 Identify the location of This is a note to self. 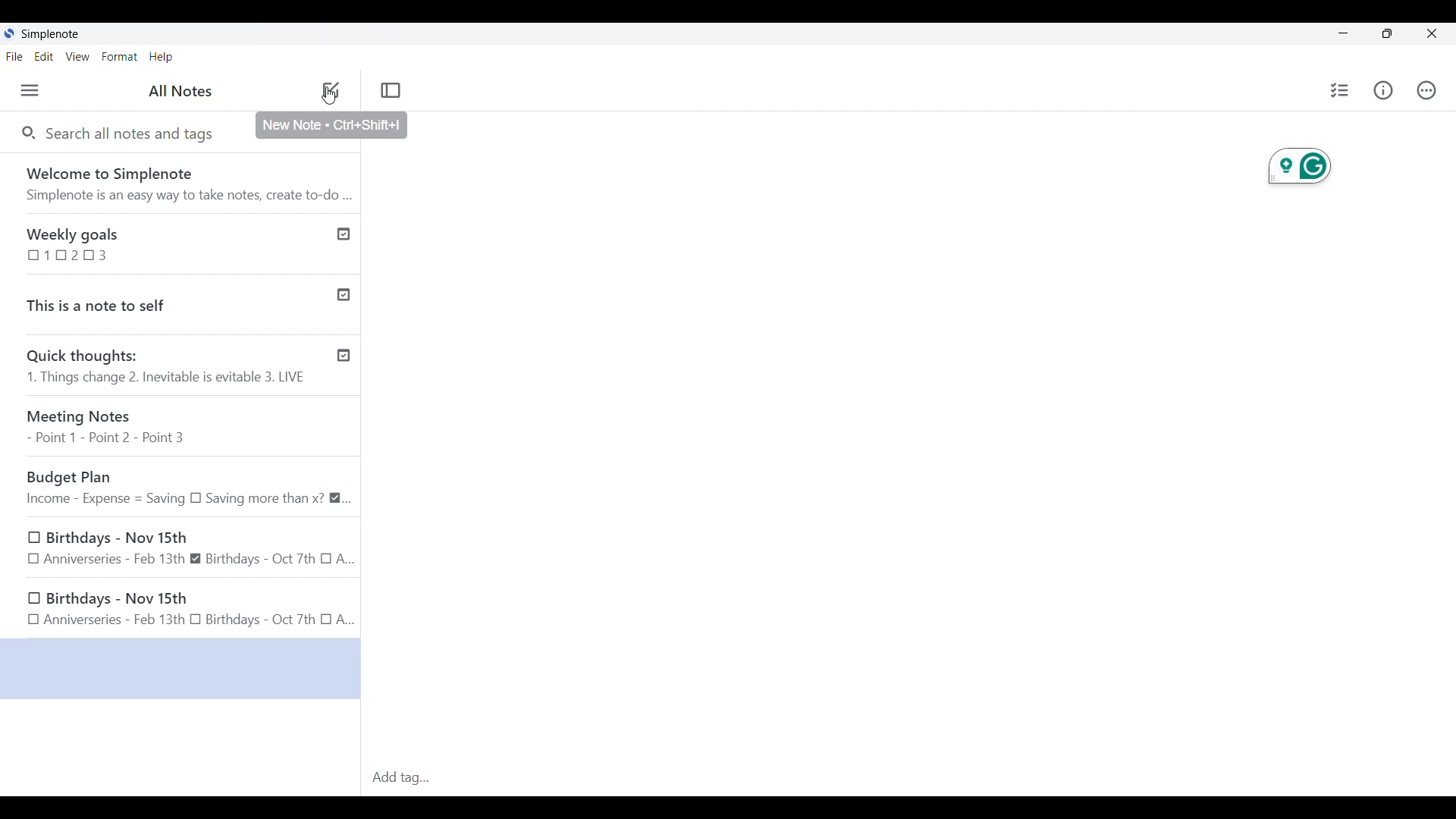
(162, 302).